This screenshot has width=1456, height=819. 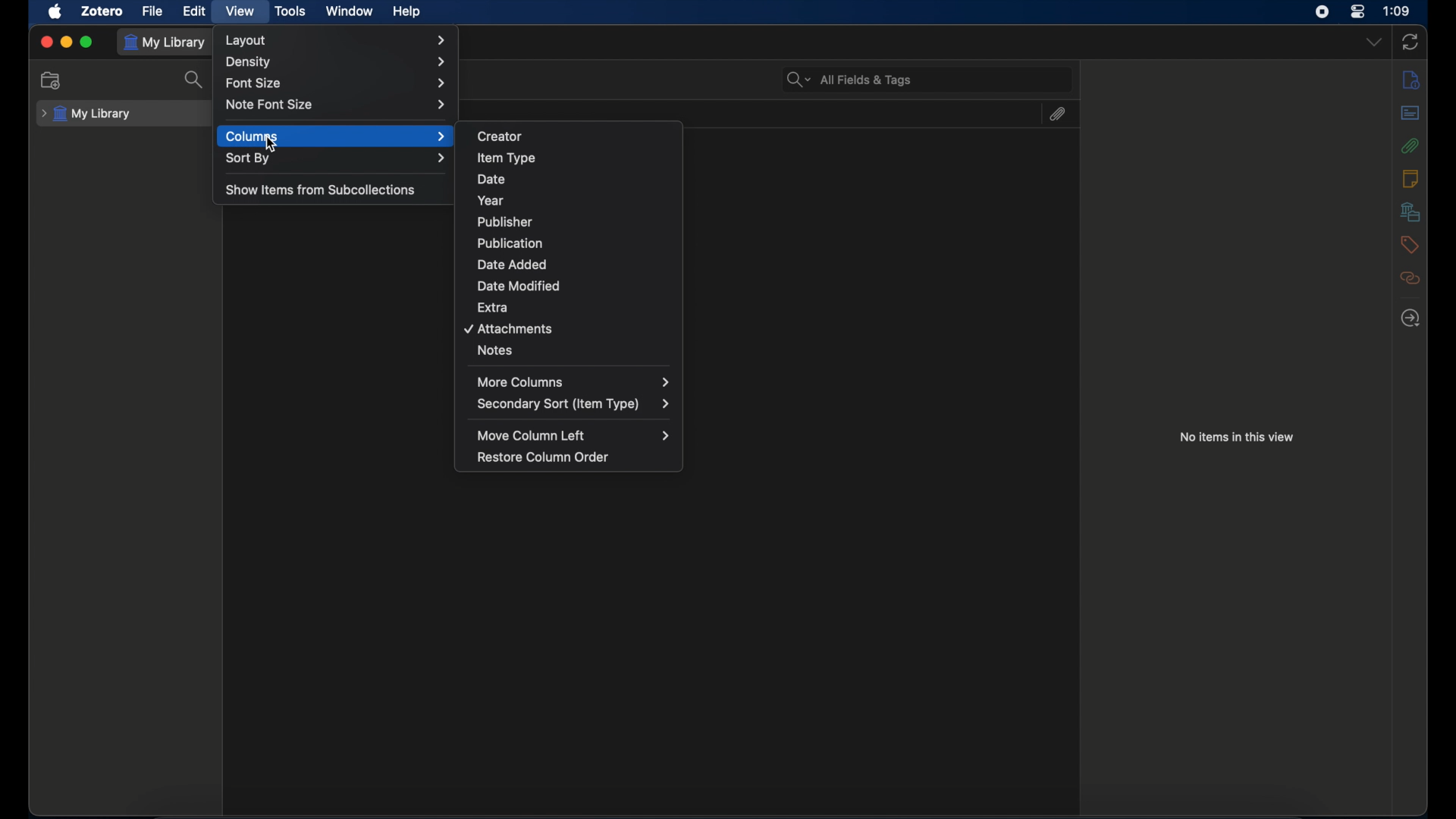 I want to click on , so click(x=1411, y=318).